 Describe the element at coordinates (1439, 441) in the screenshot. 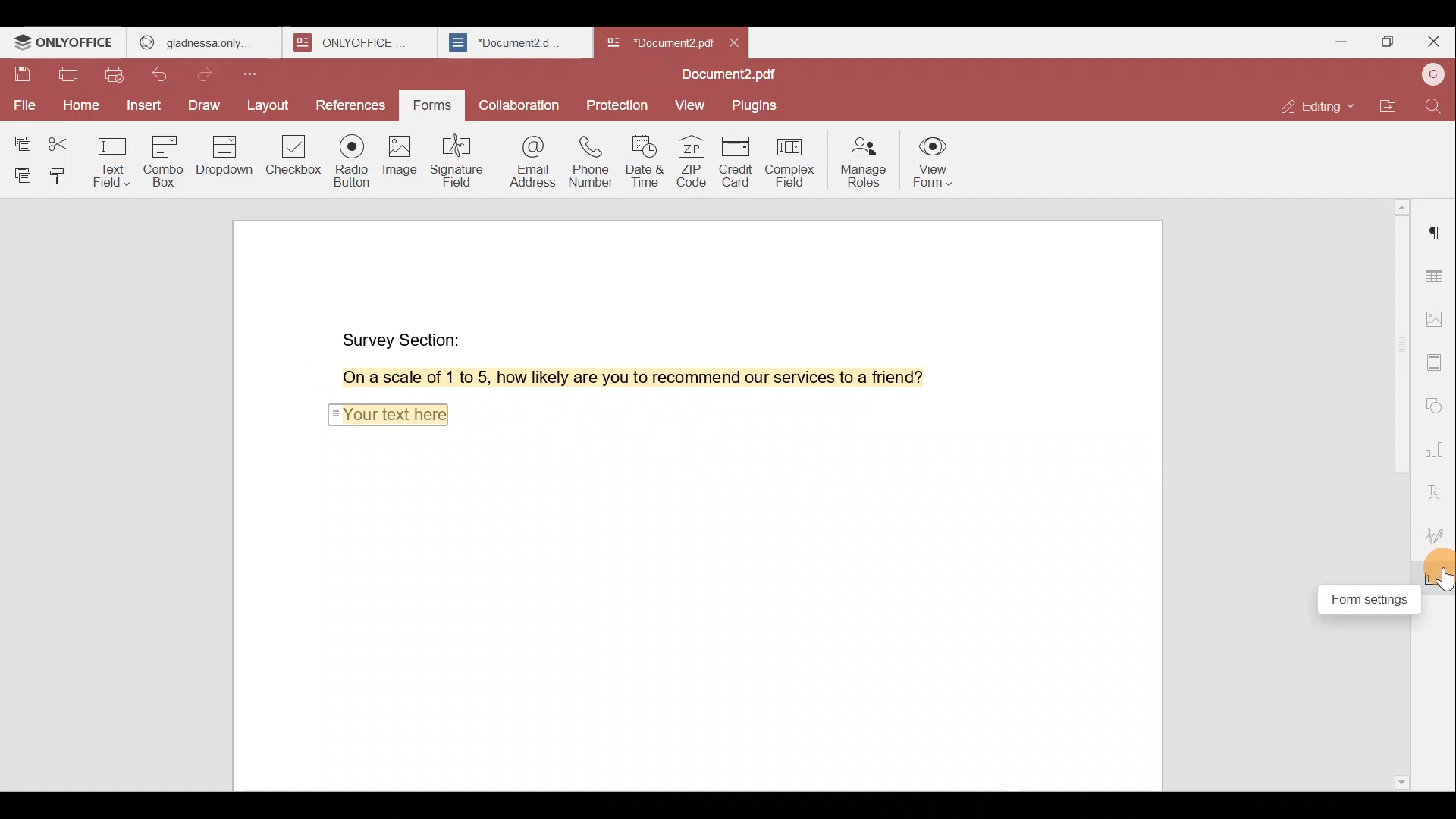

I see `Chart settings` at that location.